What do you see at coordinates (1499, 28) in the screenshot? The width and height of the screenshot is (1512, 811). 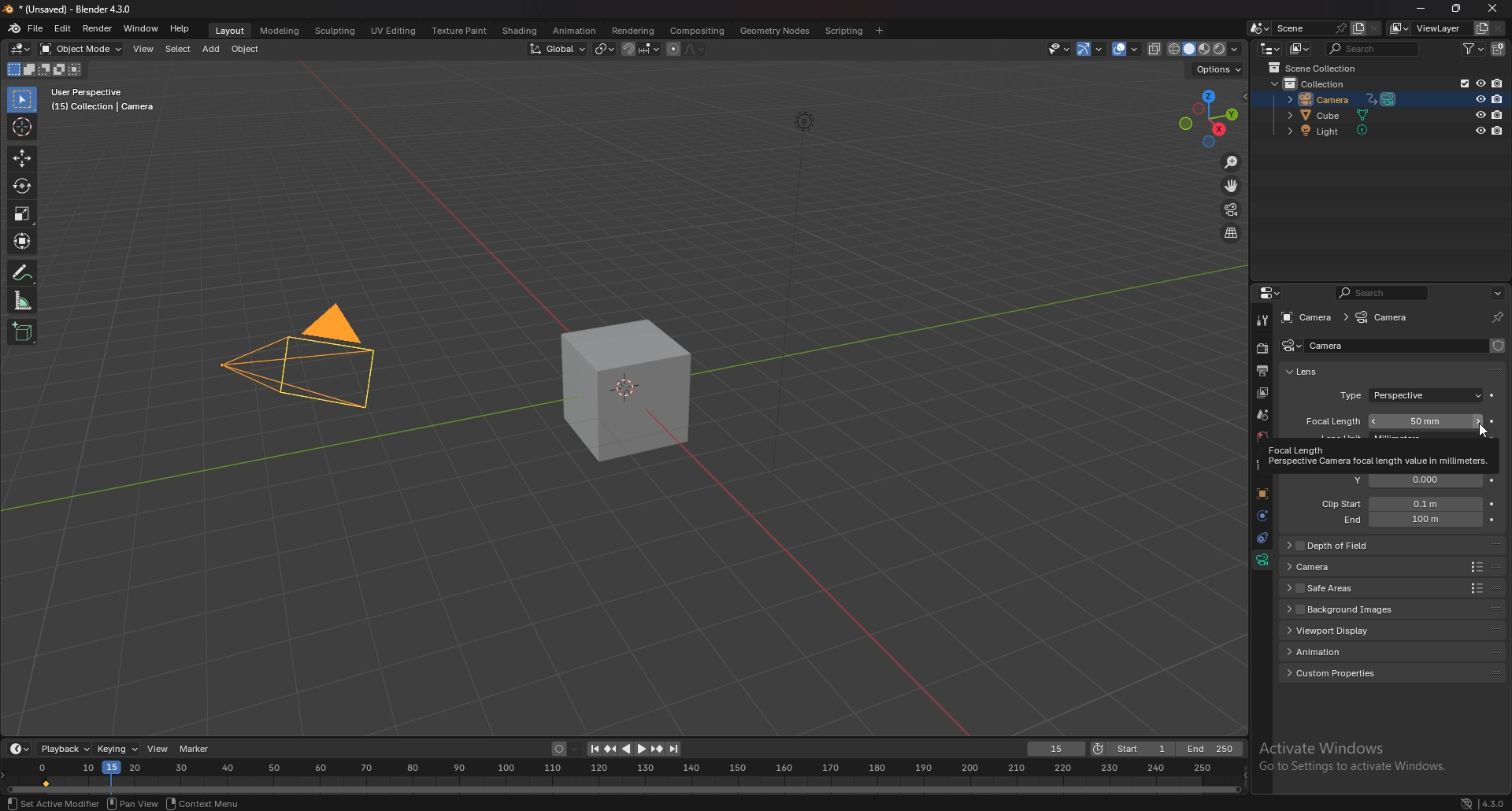 I see `remove viewlayer` at bounding box center [1499, 28].